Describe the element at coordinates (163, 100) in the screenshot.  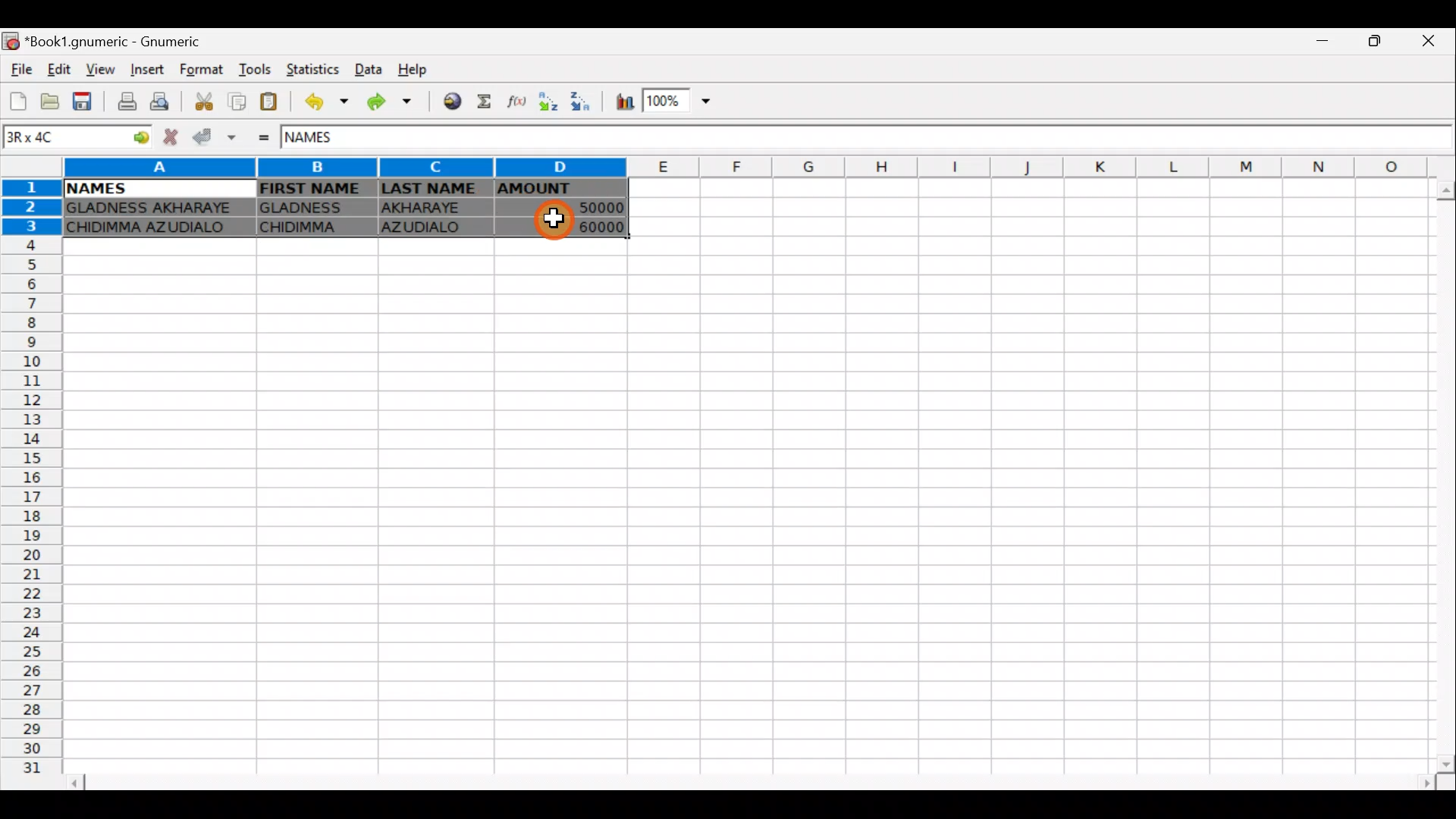
I see `Print preview` at that location.